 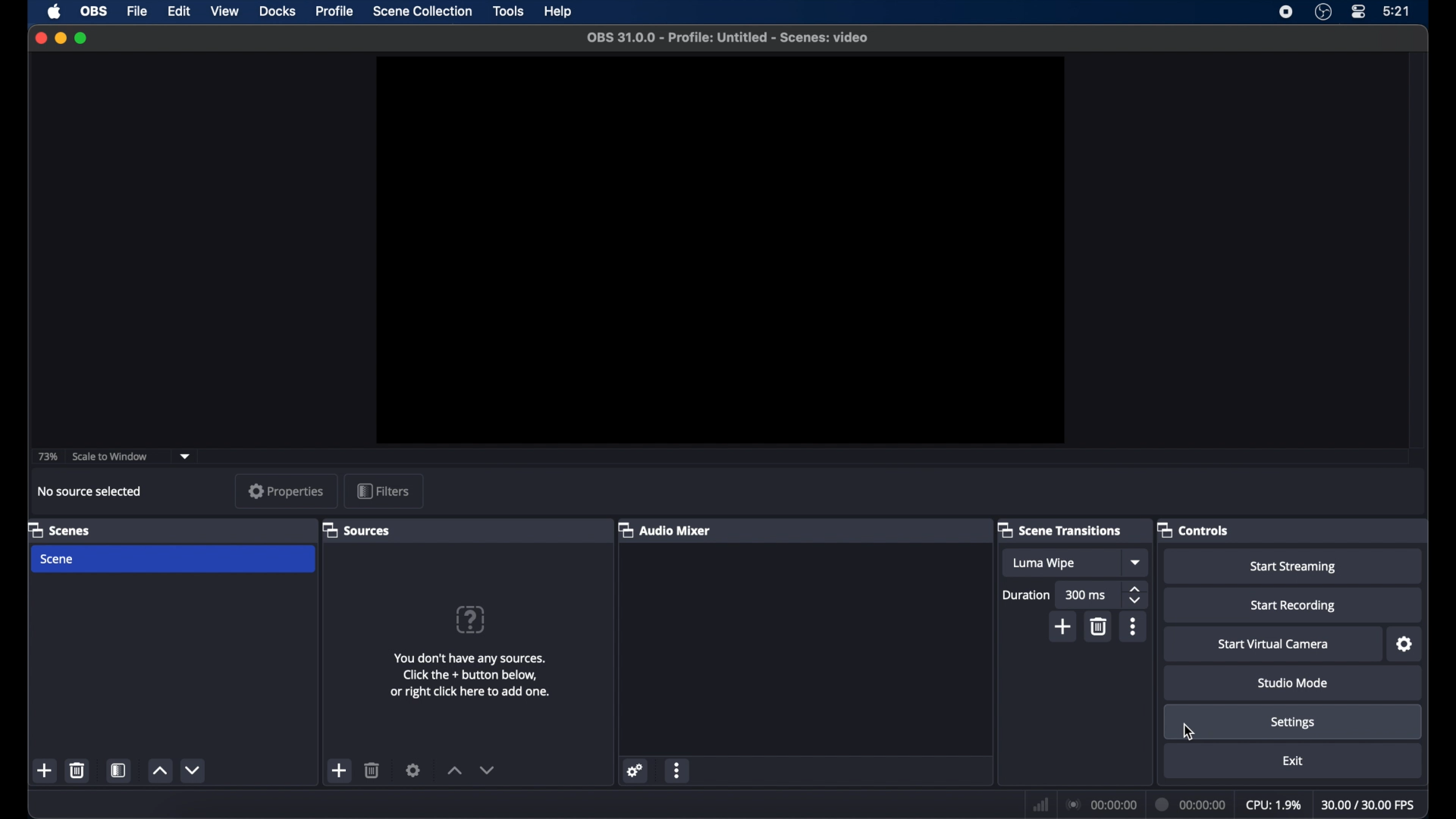 I want to click on docks, so click(x=278, y=11).